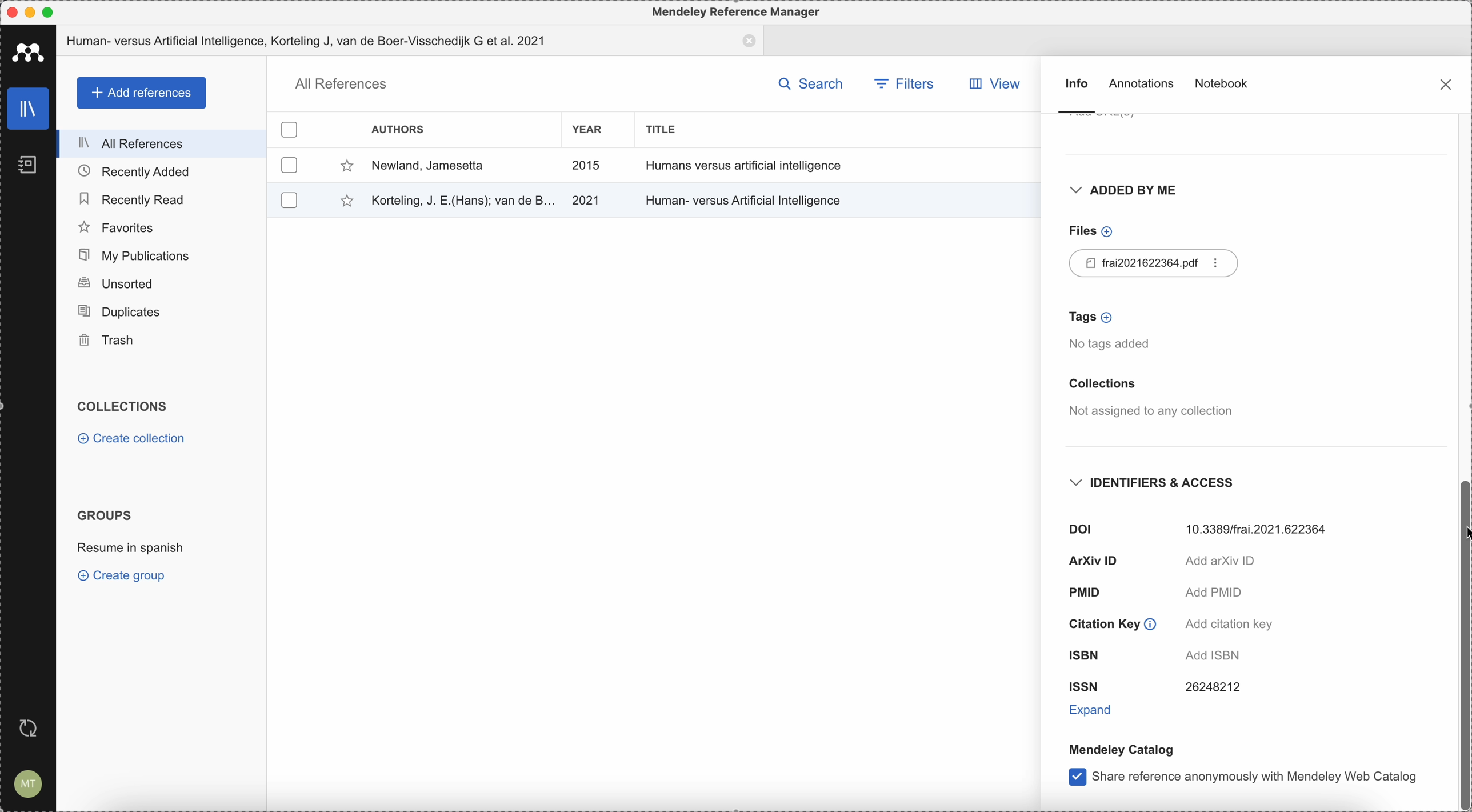 This screenshot has width=1472, height=812. I want to click on checkbox, so click(291, 127).